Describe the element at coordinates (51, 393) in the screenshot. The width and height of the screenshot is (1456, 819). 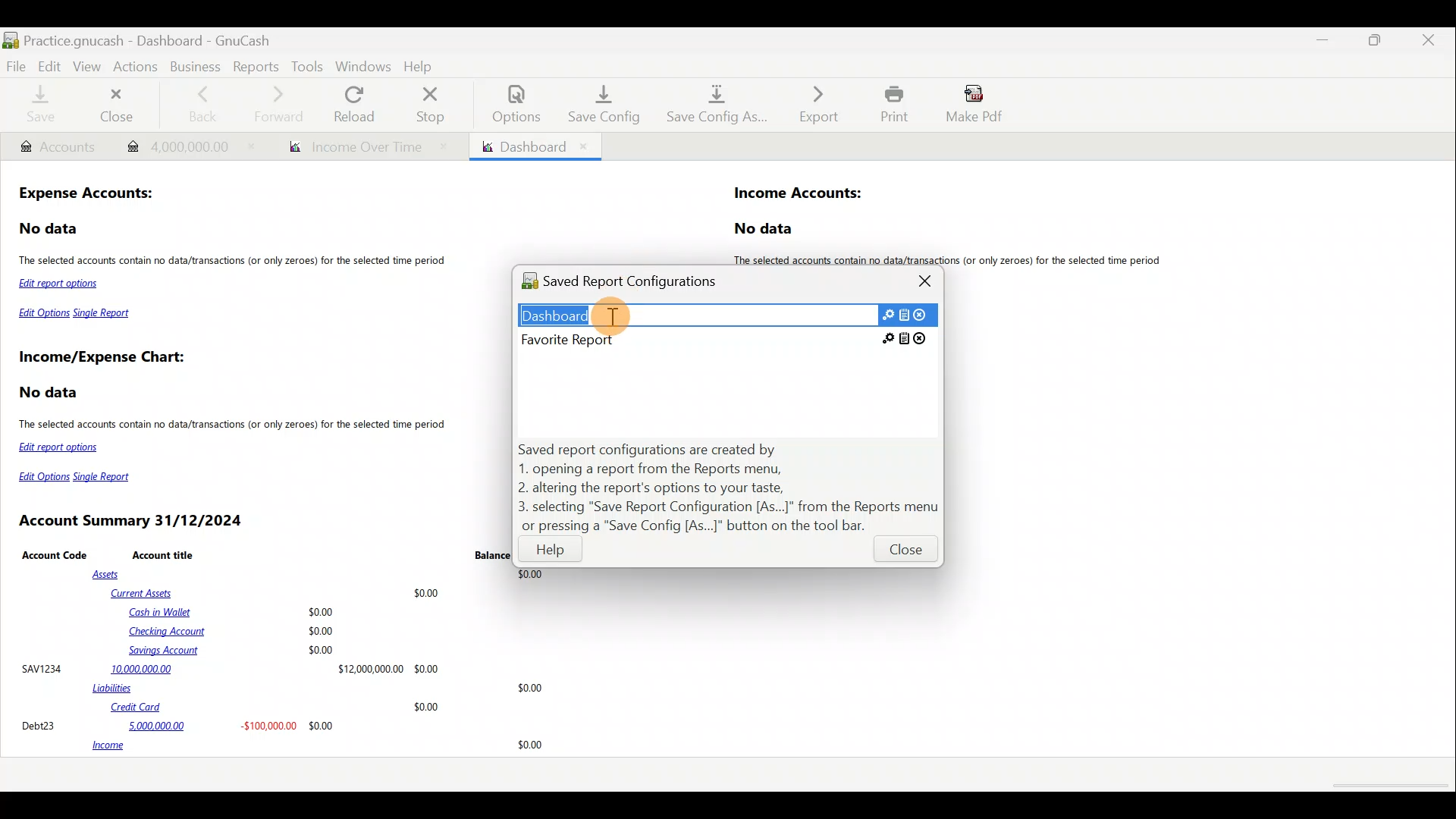
I see `No data` at that location.